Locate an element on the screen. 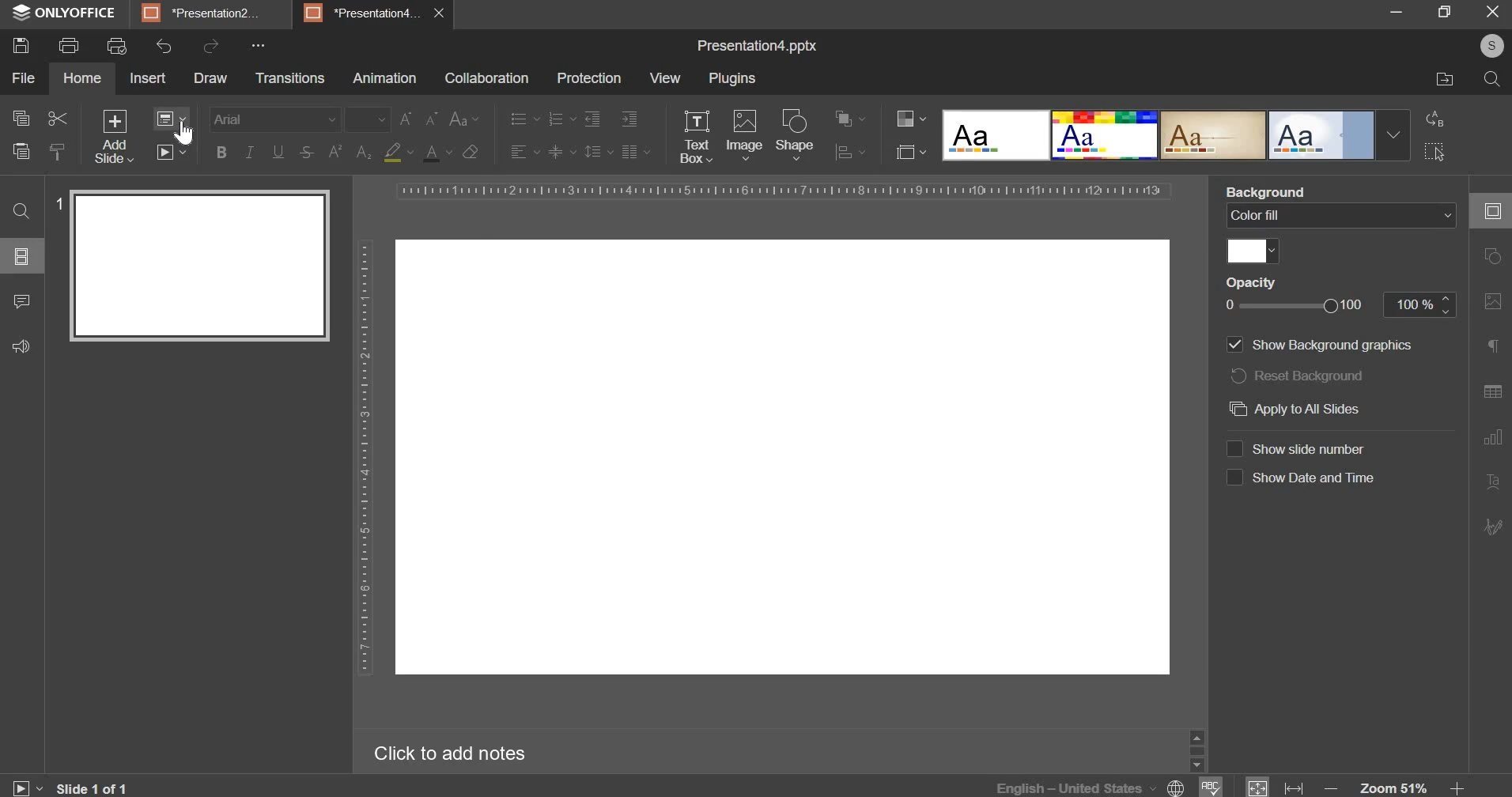 This screenshot has height=797, width=1512. horizontal alignment is located at coordinates (524, 152).